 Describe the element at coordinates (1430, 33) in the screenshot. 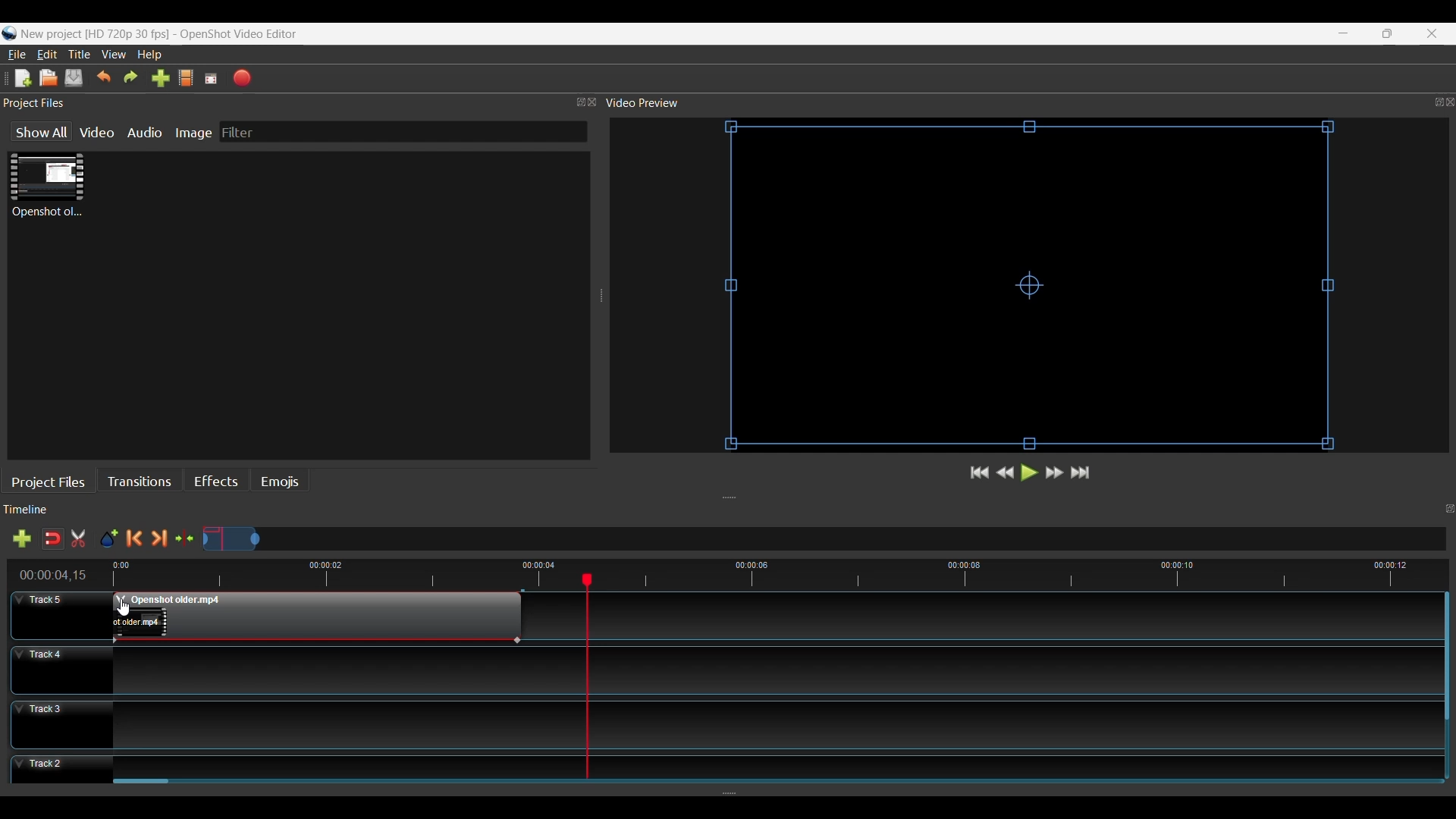

I see `Close` at that location.